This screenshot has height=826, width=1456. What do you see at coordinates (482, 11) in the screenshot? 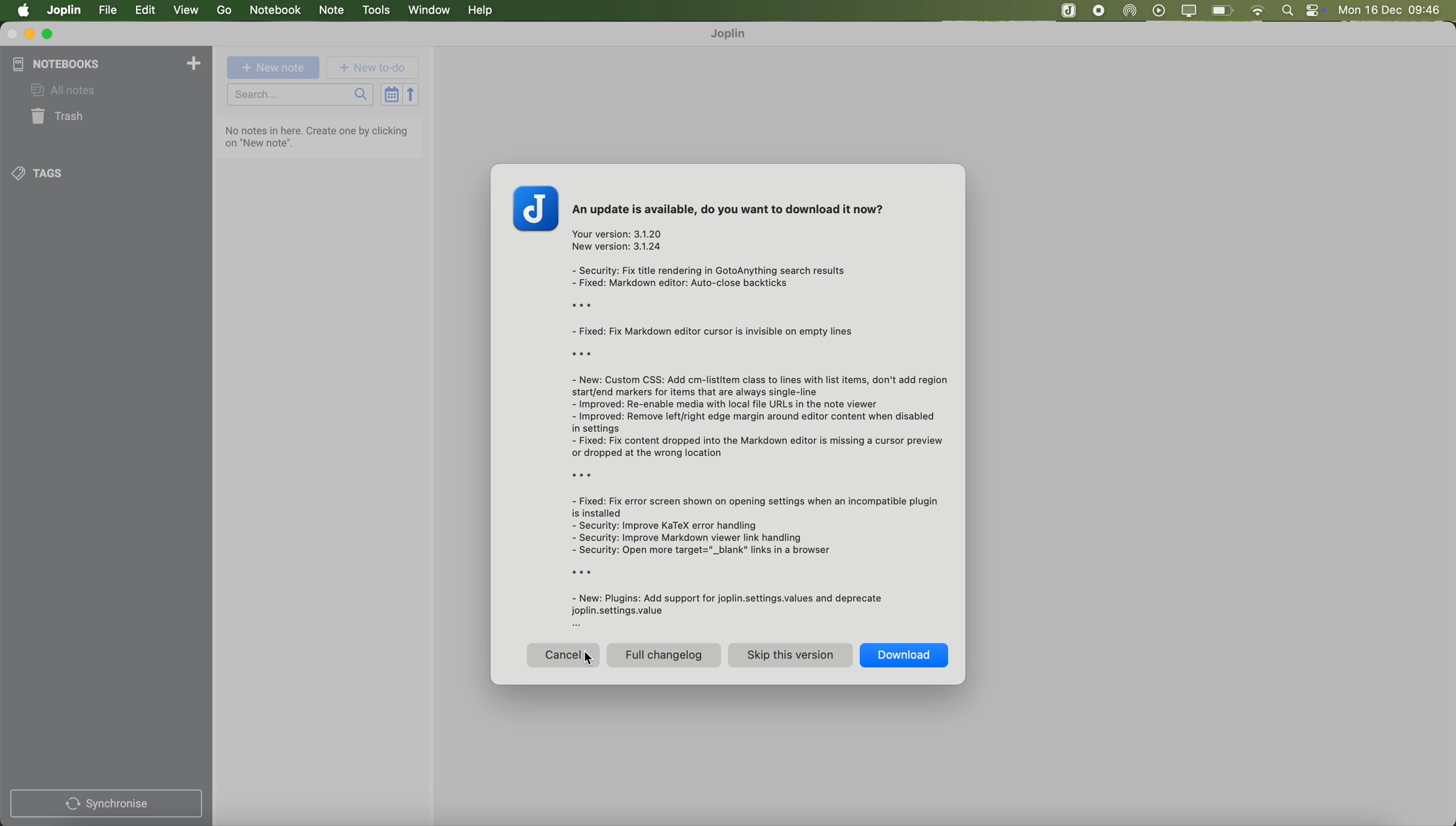
I see `help` at bounding box center [482, 11].